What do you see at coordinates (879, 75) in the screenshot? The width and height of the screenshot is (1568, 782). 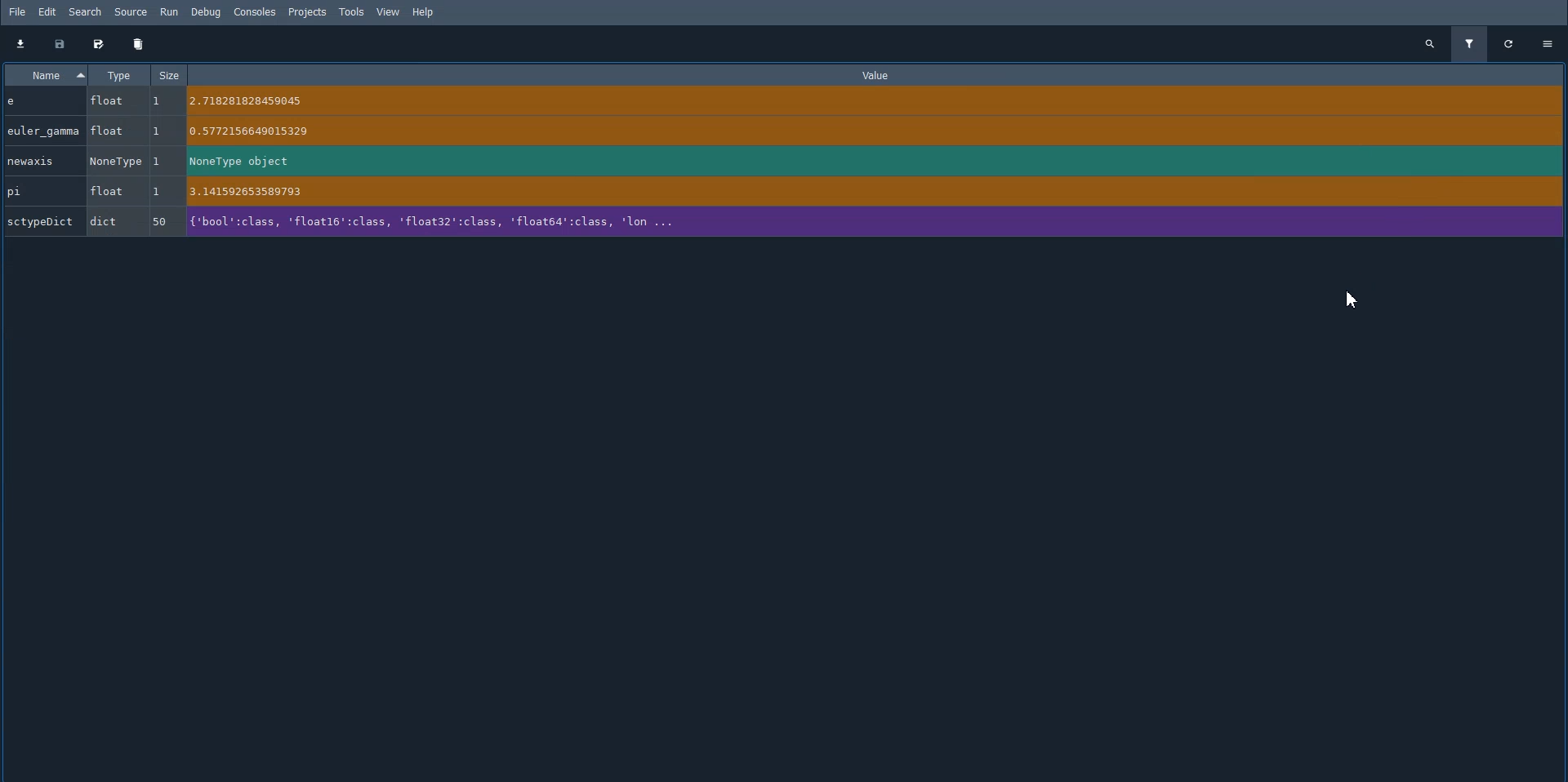 I see `Value` at bounding box center [879, 75].